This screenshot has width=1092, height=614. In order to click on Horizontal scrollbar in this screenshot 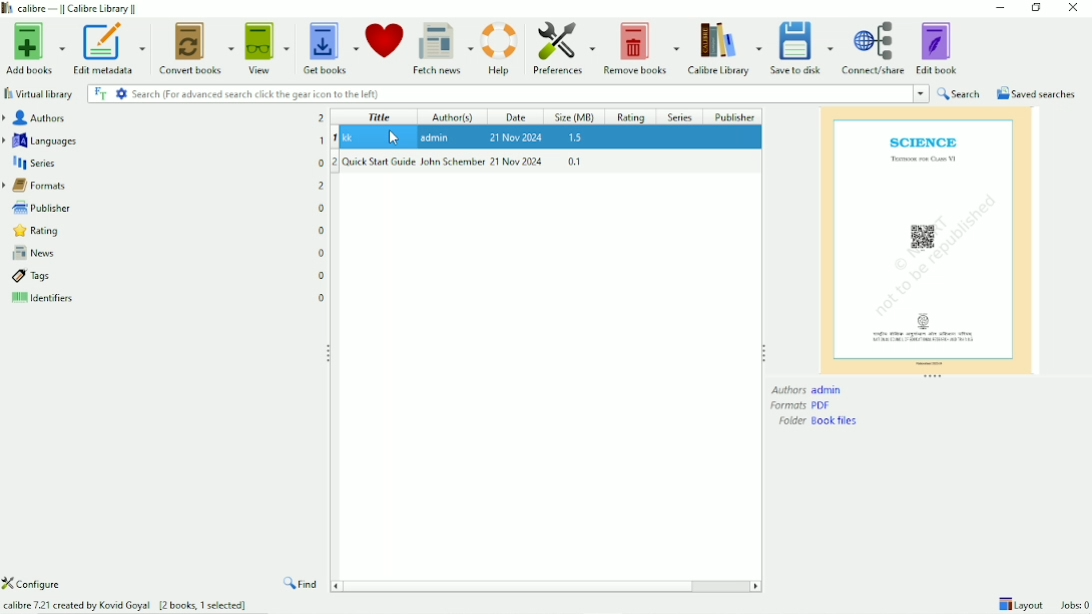, I will do `click(547, 587)`.